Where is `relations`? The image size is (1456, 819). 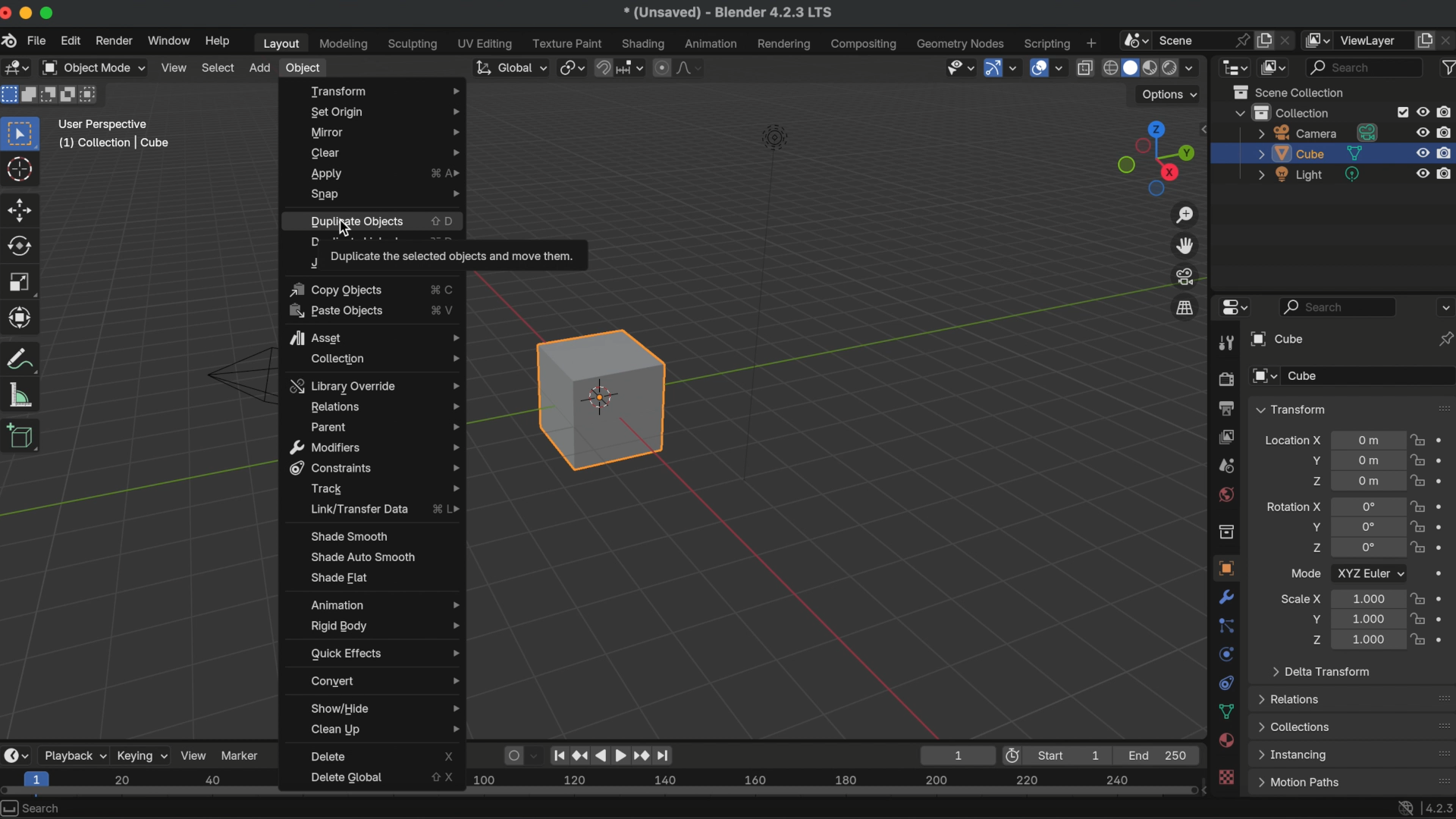 relations is located at coordinates (384, 406).